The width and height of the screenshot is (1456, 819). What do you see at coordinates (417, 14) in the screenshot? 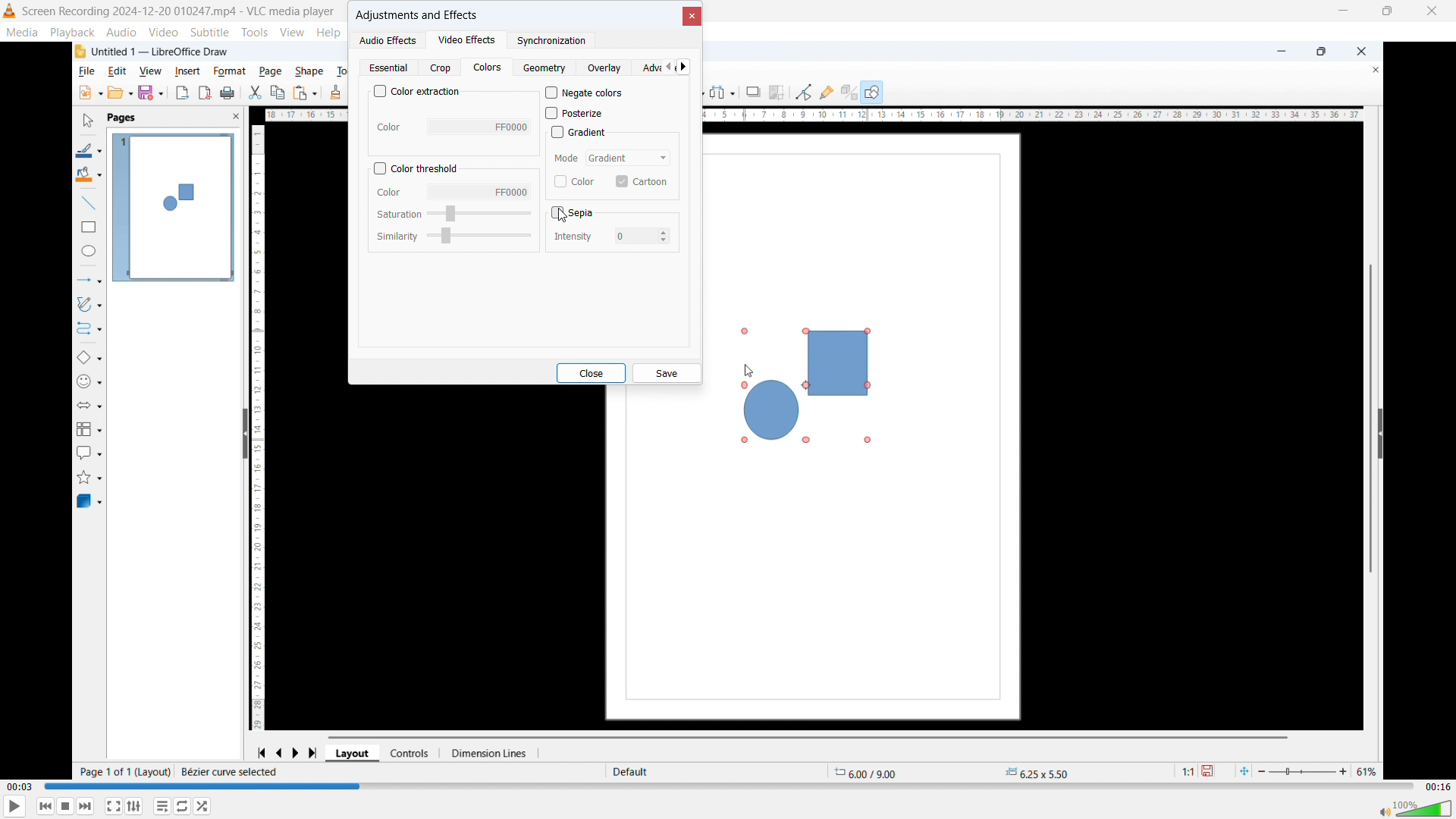
I see `Adjustments and effects ` at bounding box center [417, 14].